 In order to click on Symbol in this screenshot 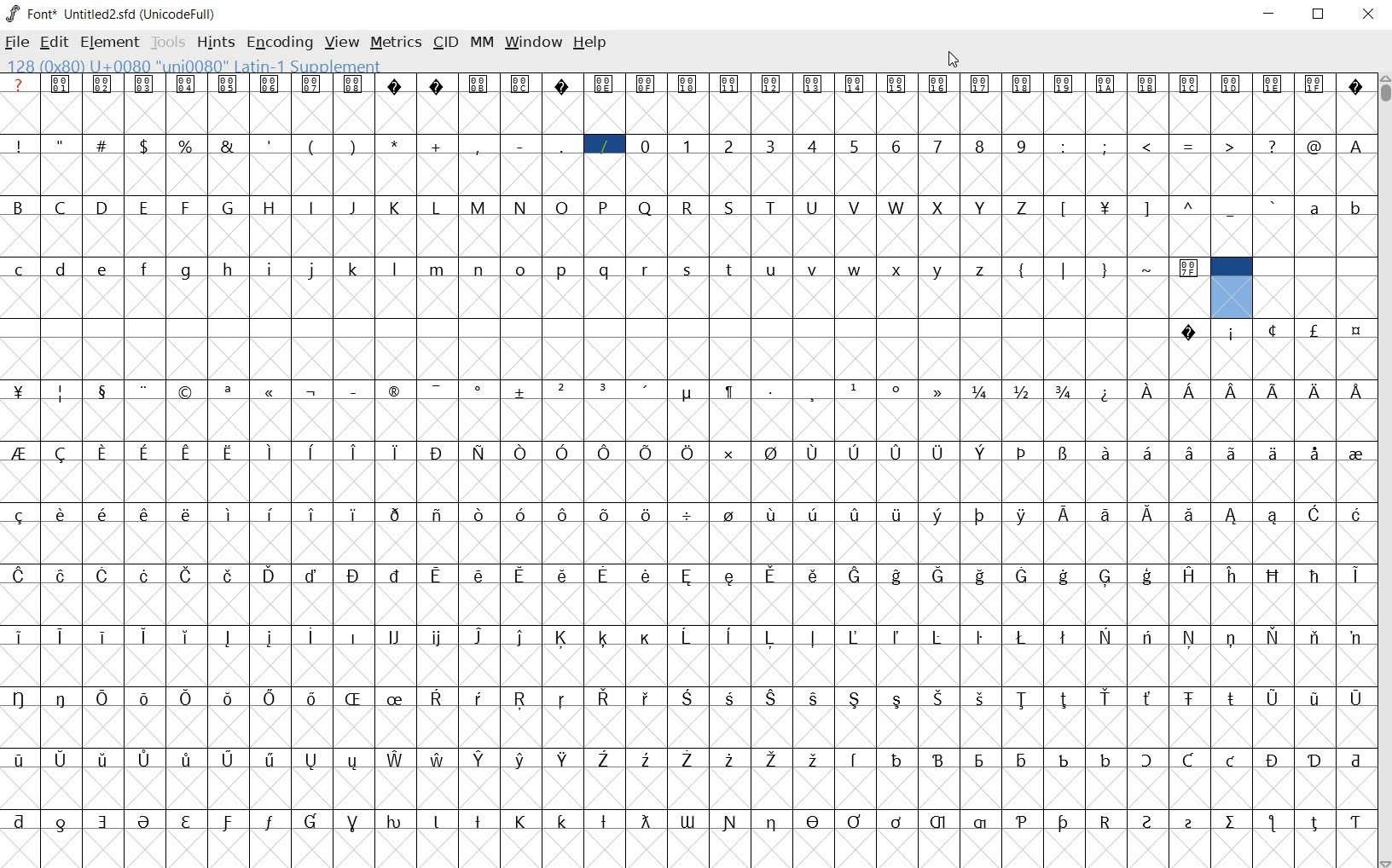, I will do `click(1314, 758)`.